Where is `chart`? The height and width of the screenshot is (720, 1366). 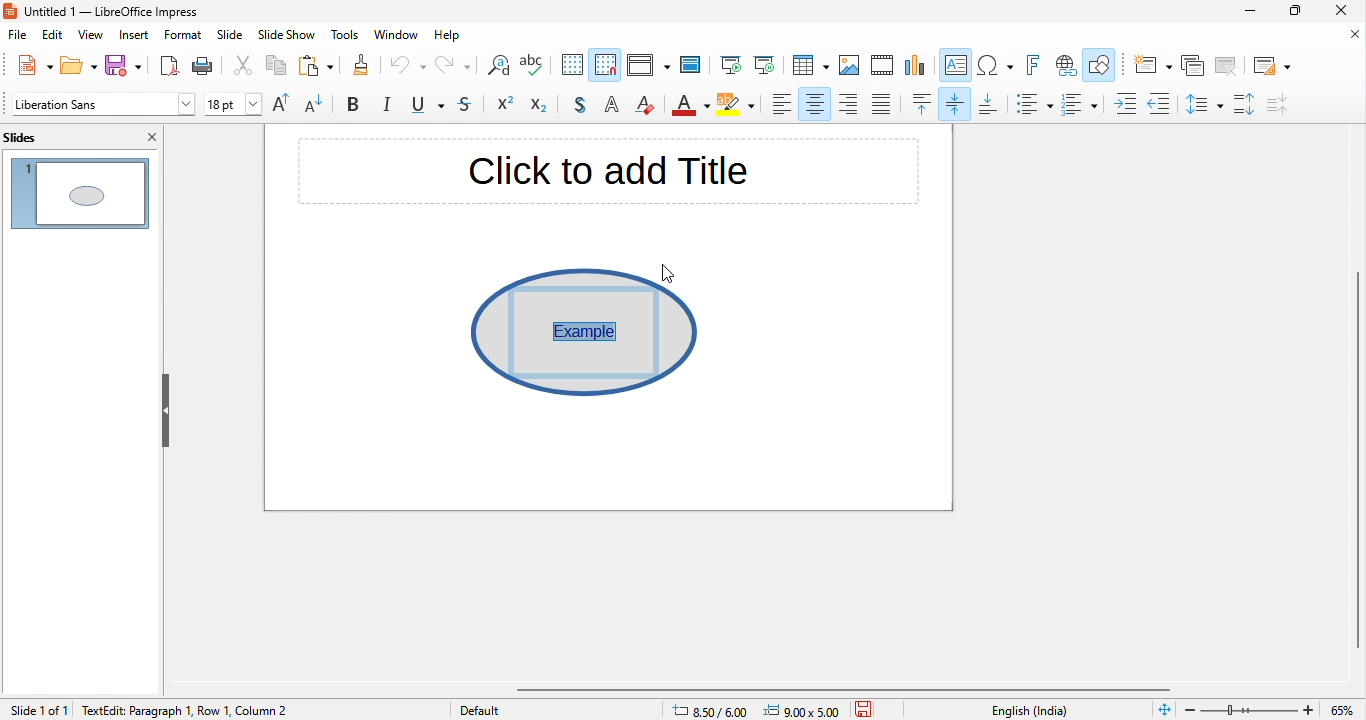 chart is located at coordinates (916, 67).